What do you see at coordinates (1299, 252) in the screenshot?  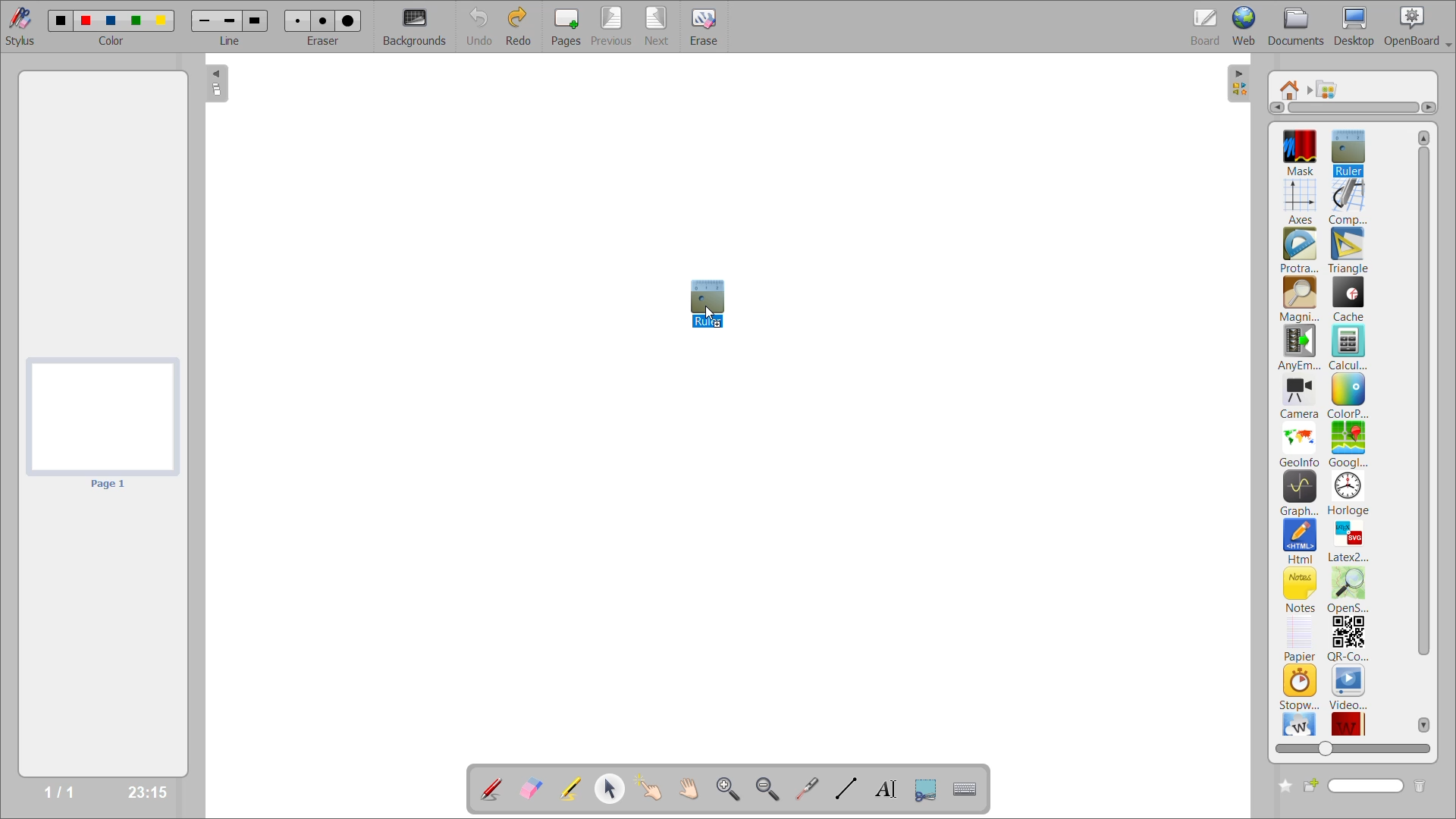 I see `protractor` at bounding box center [1299, 252].